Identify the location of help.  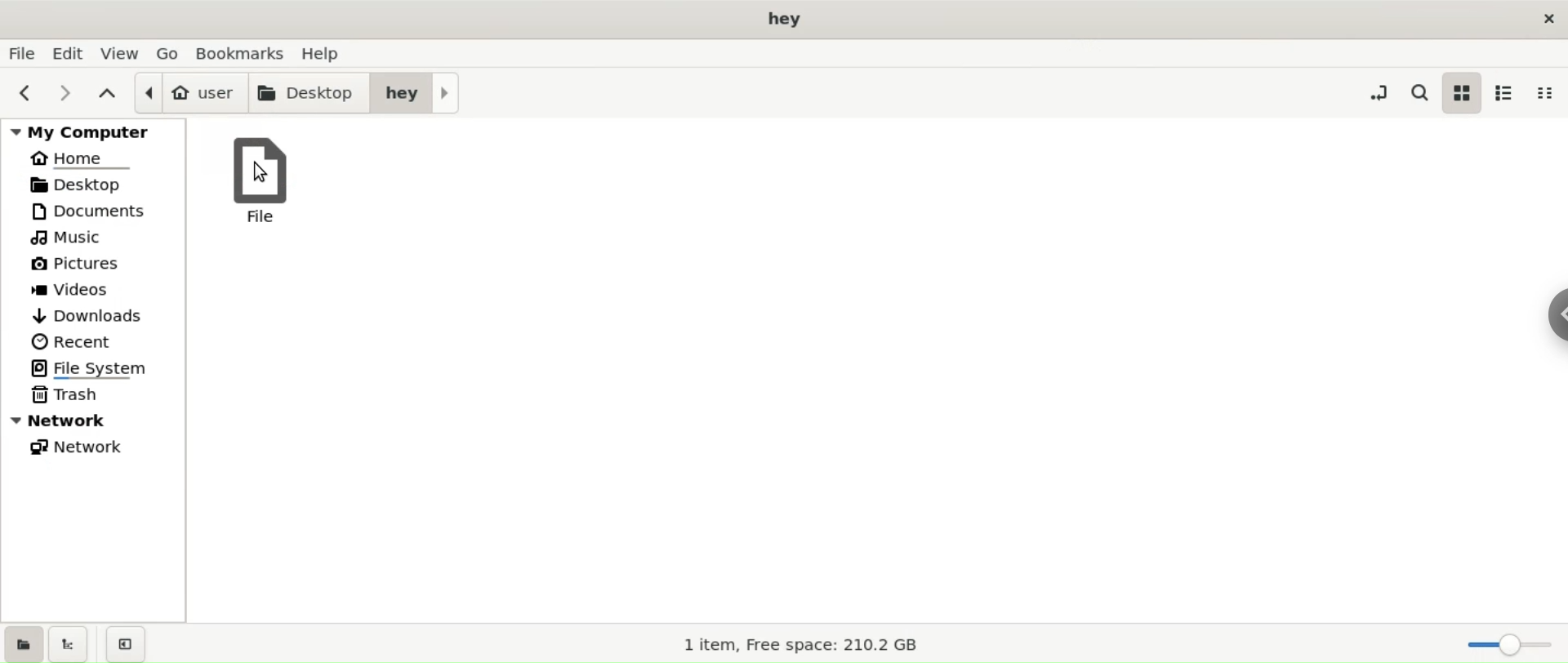
(324, 55).